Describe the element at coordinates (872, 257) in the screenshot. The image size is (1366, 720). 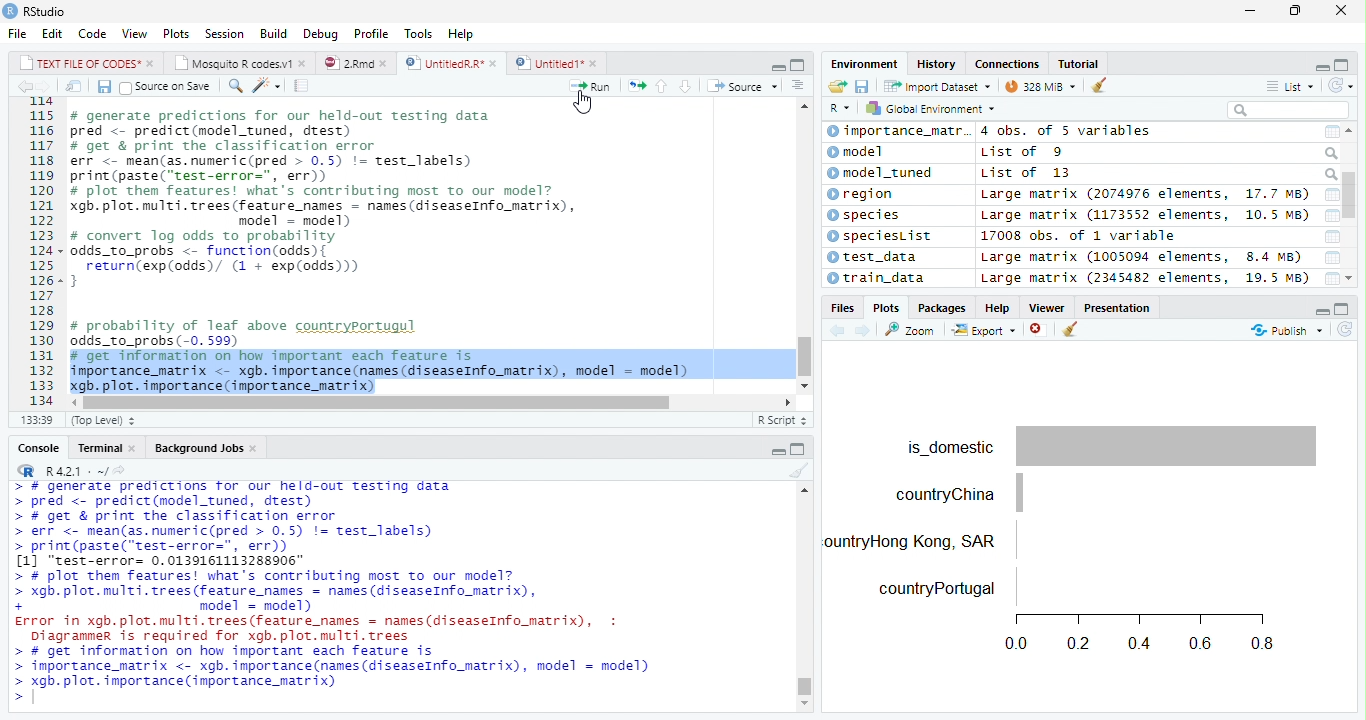
I see `test_data` at that location.